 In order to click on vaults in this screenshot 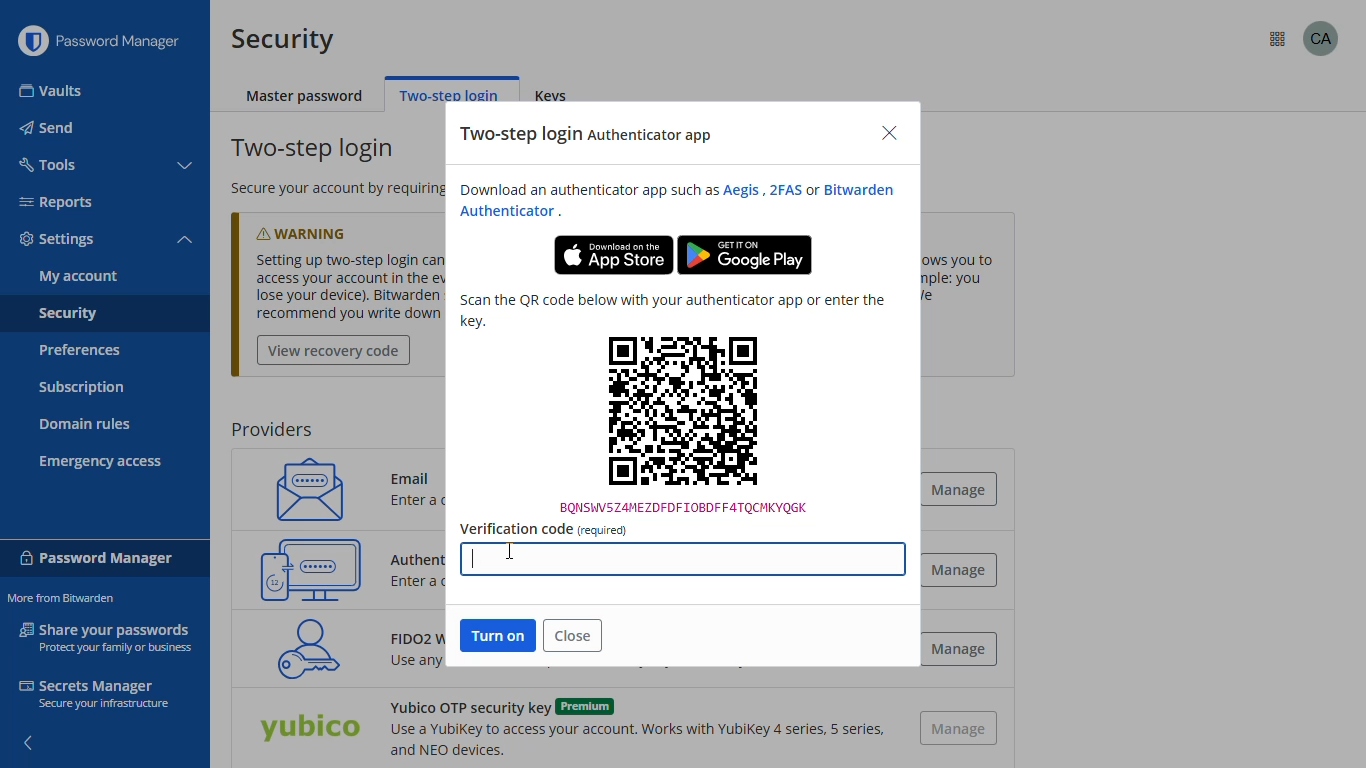, I will do `click(52, 91)`.